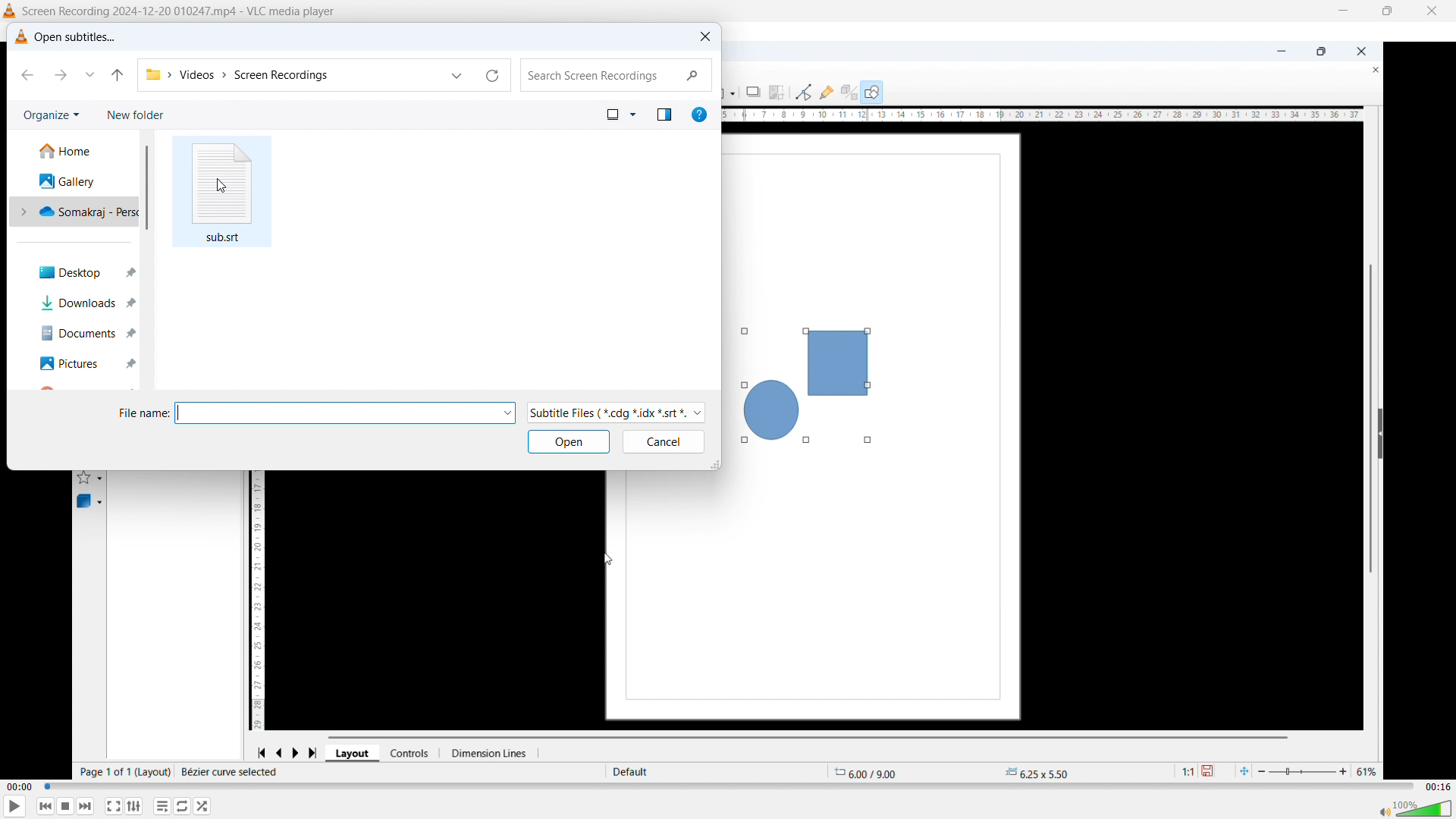  Describe the element at coordinates (82, 304) in the screenshot. I see `Downloads folder ` at that location.